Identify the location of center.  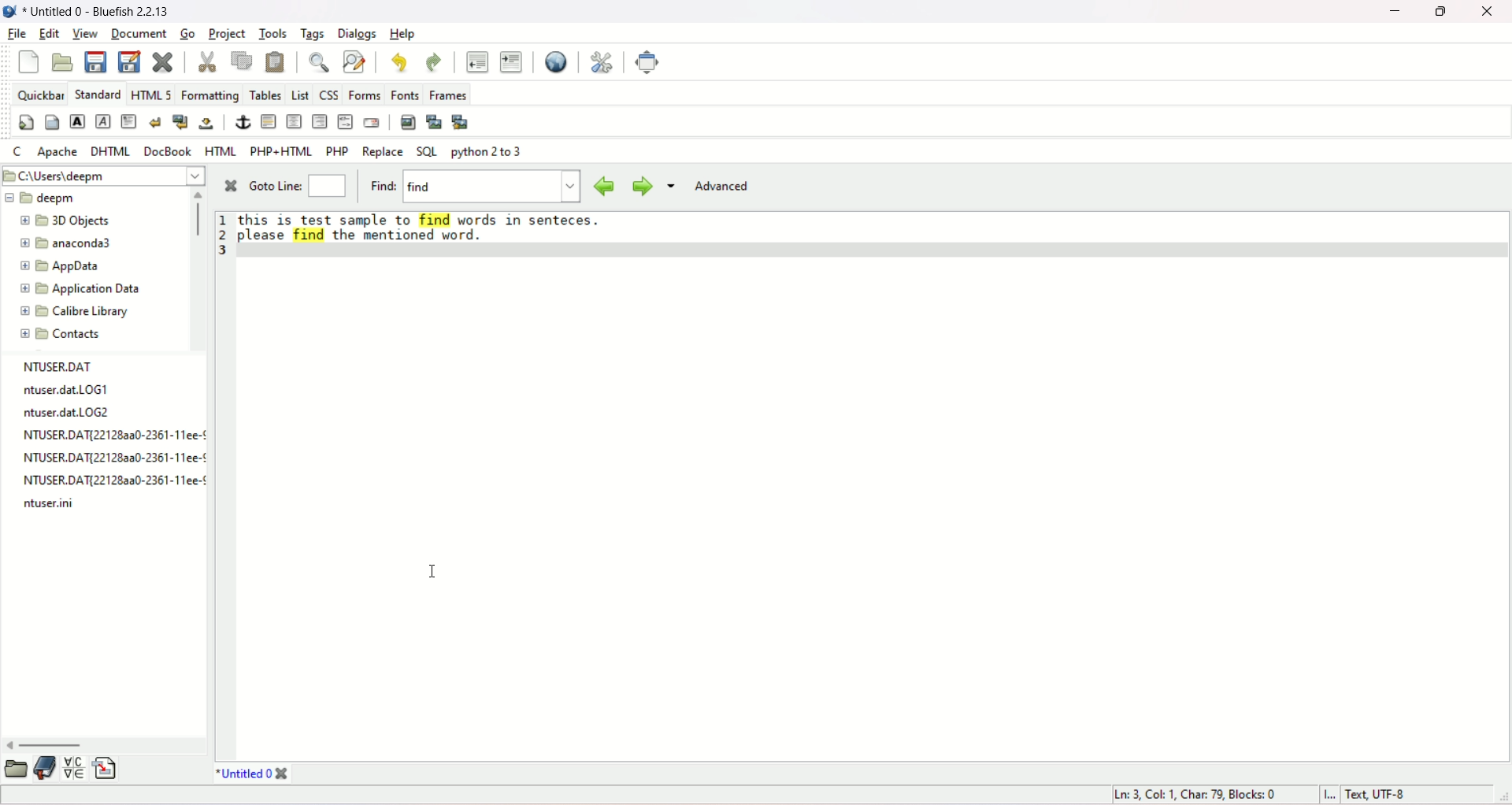
(294, 121).